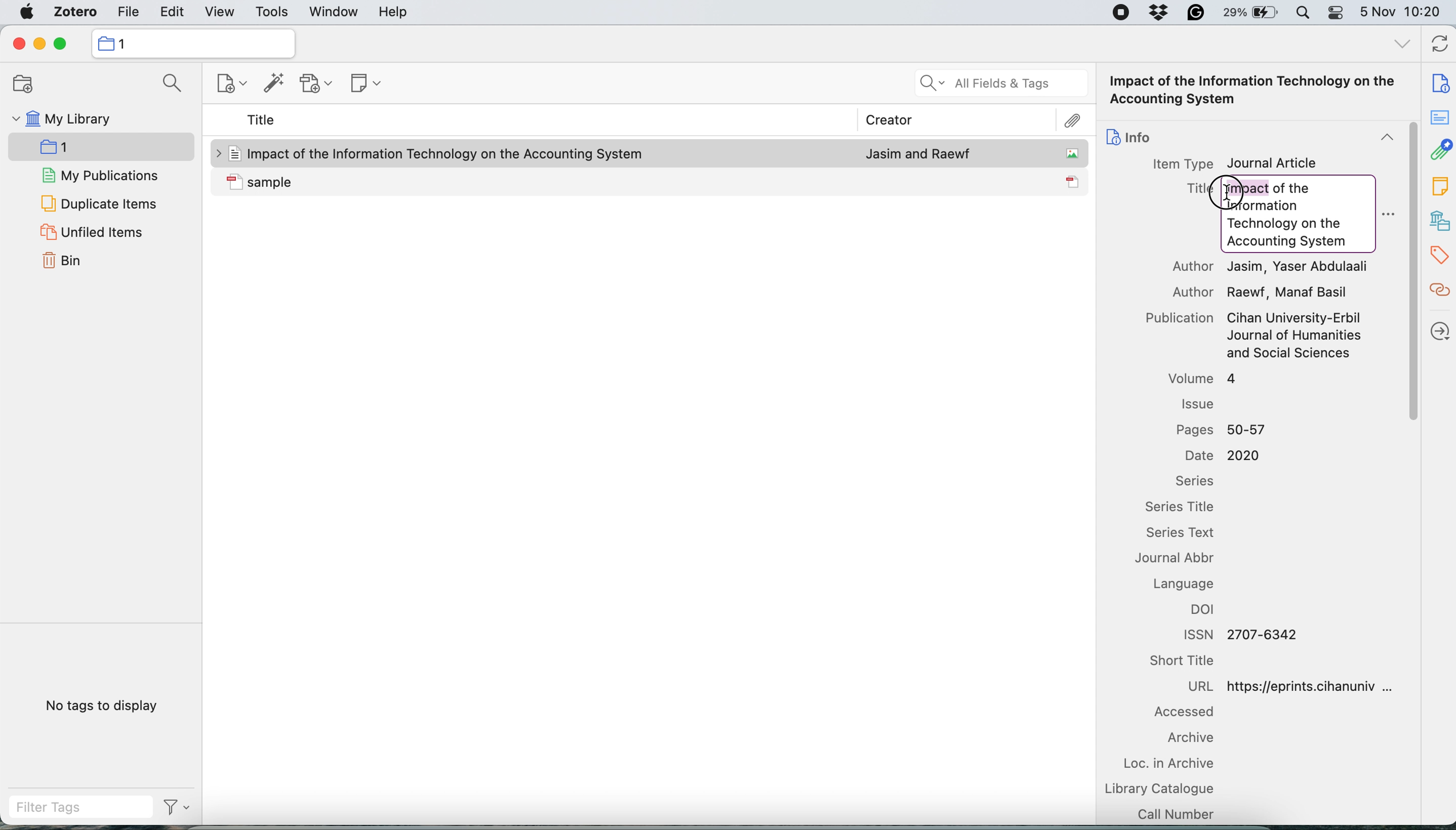 Image resolution: width=1456 pixels, height=830 pixels. What do you see at coordinates (1439, 46) in the screenshot?
I see `refresh` at bounding box center [1439, 46].